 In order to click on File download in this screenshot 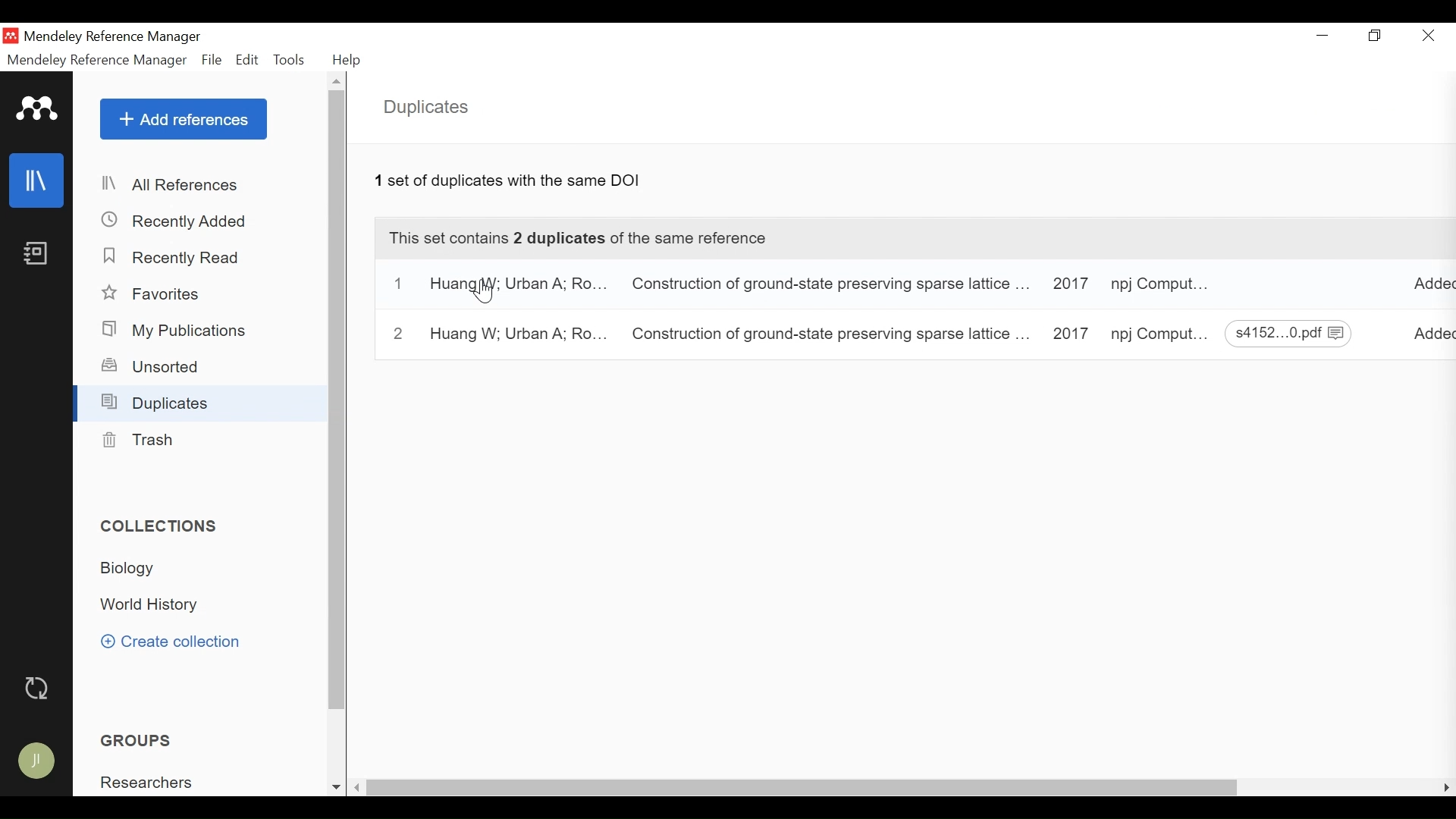, I will do `click(1288, 334)`.